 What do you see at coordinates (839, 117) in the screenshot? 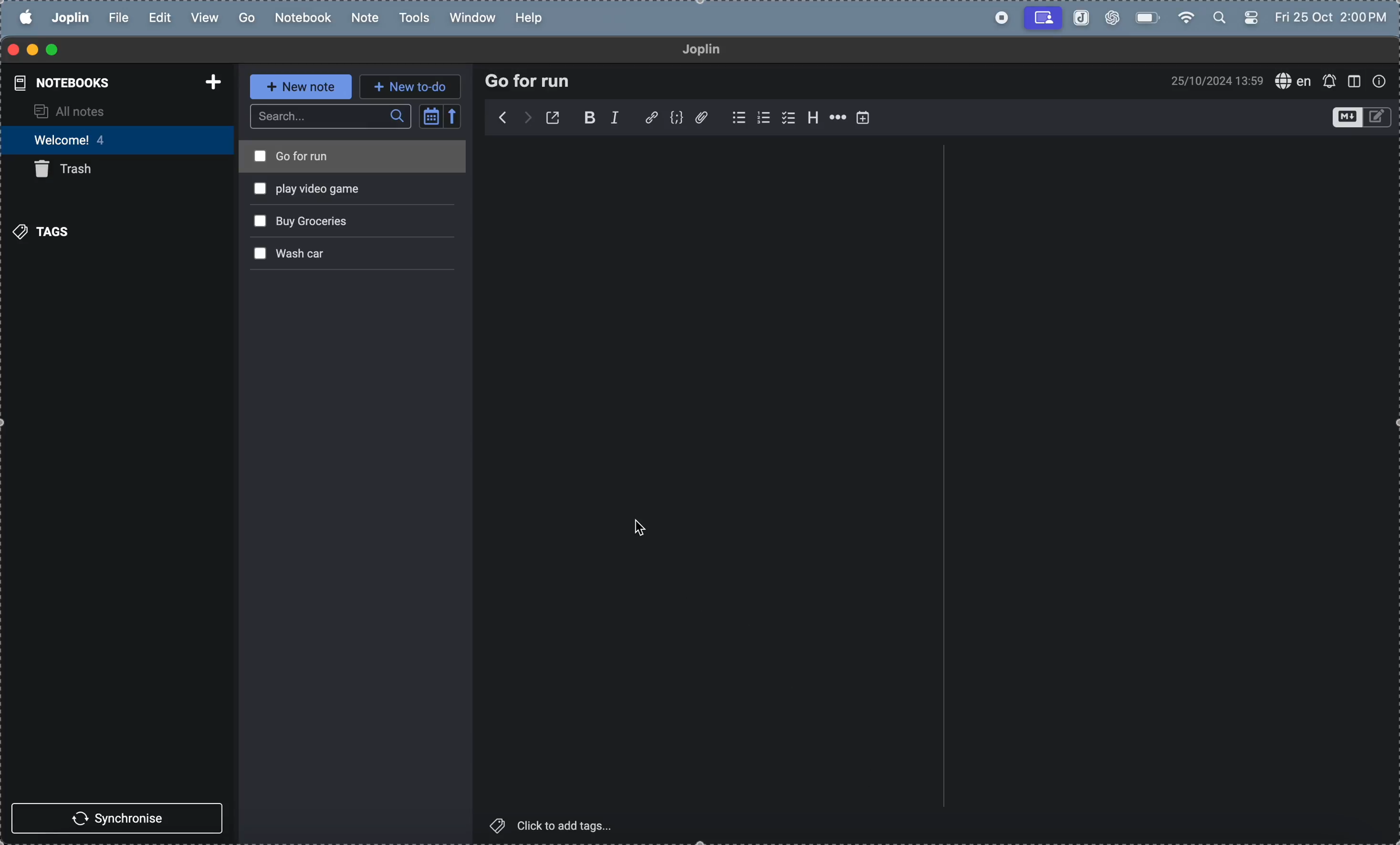
I see `horizontal lines` at bounding box center [839, 117].